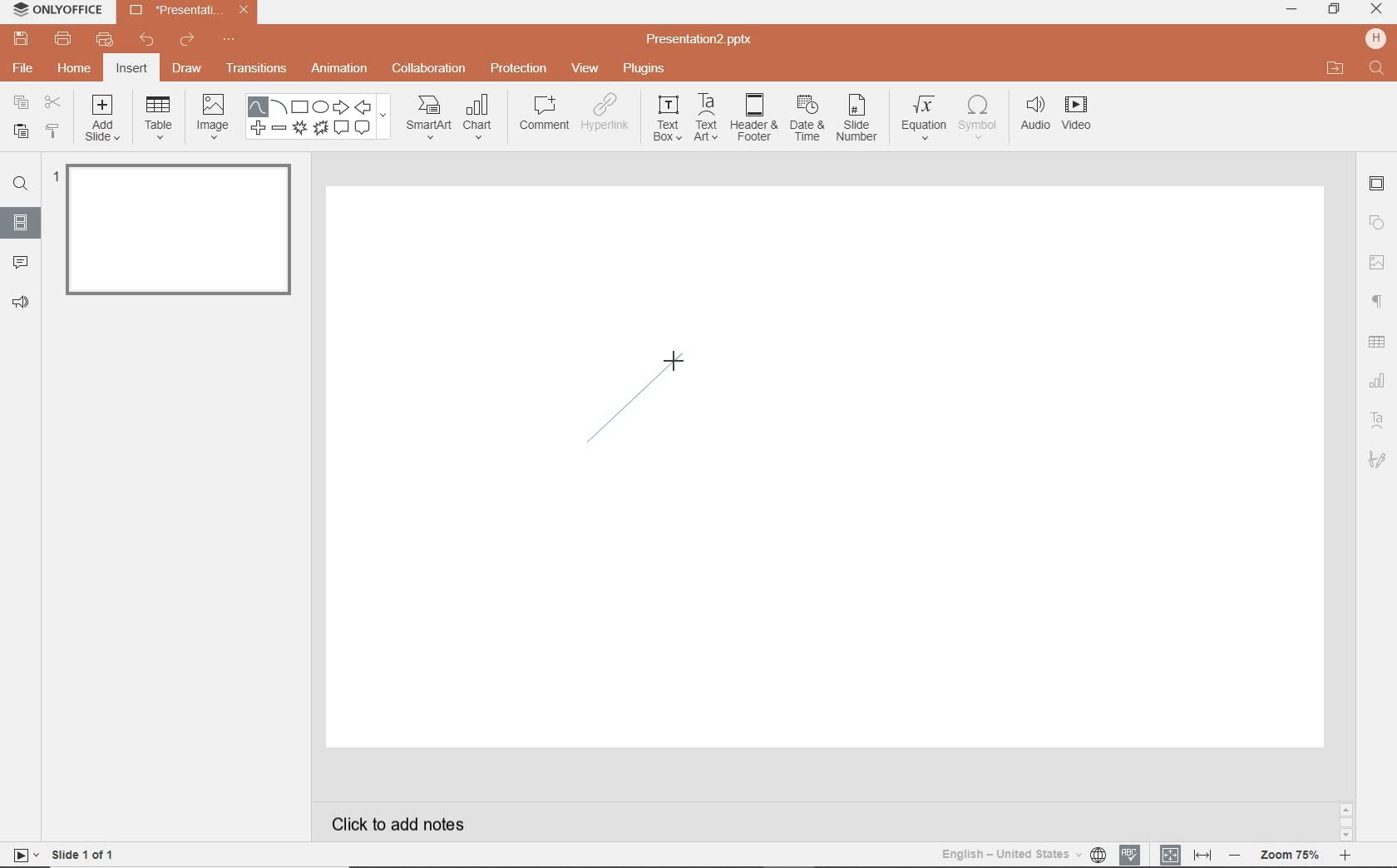 The width and height of the screenshot is (1397, 868). I want to click on ZOOM, so click(1298, 855).